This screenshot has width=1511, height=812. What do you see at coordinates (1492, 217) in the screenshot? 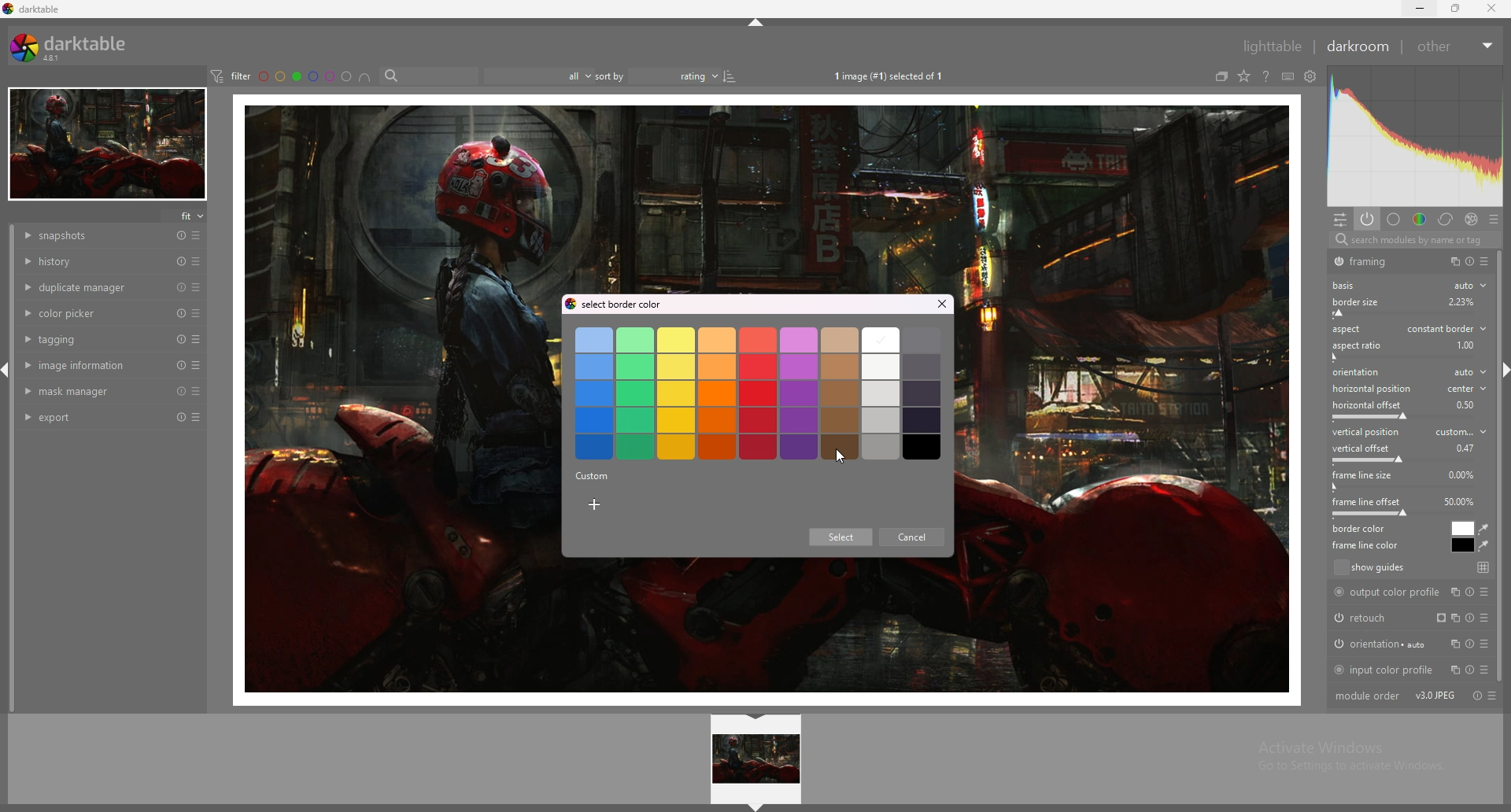
I see `presets` at bounding box center [1492, 217].